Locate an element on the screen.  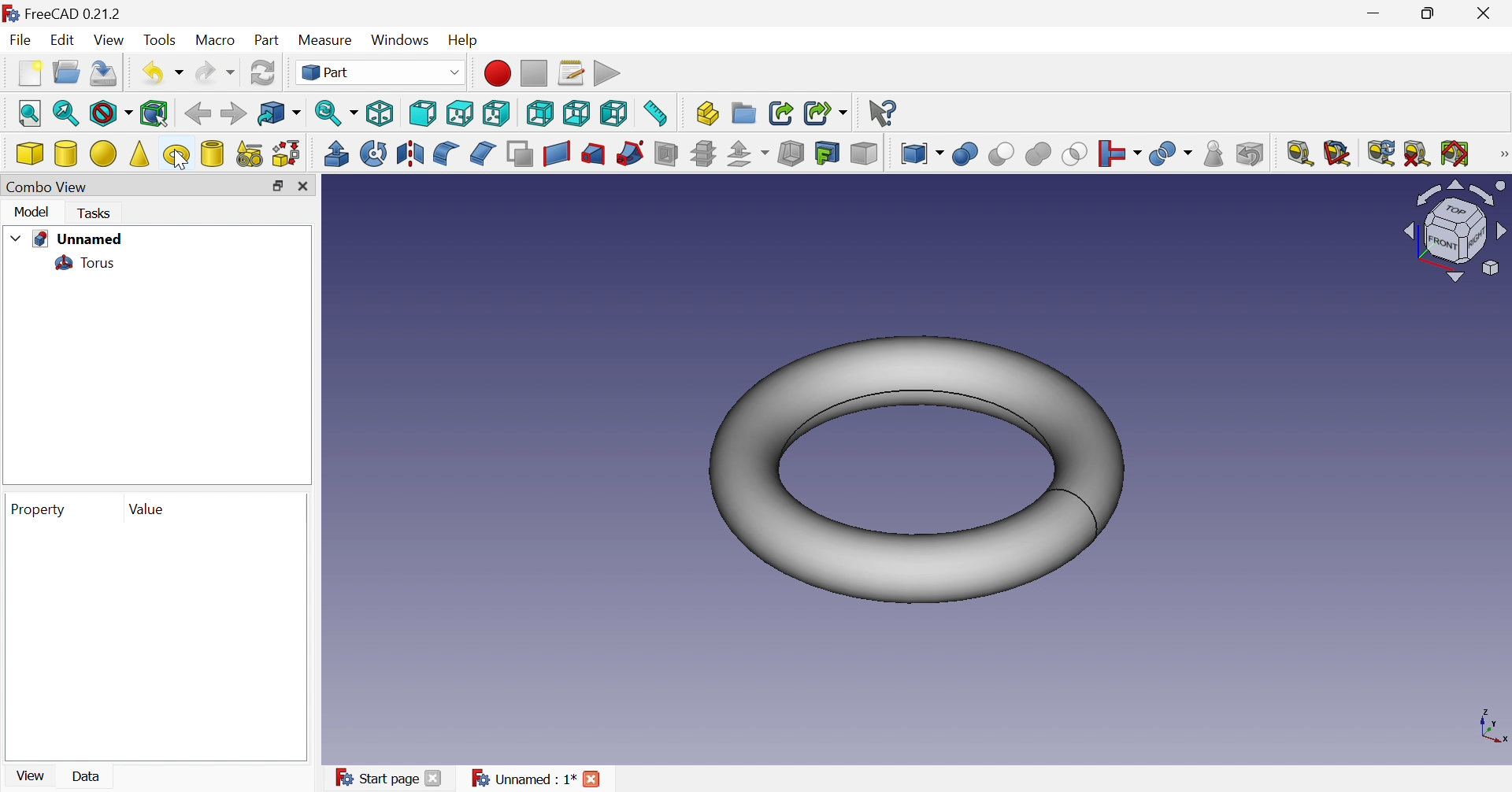
Section is located at coordinates (665, 152).